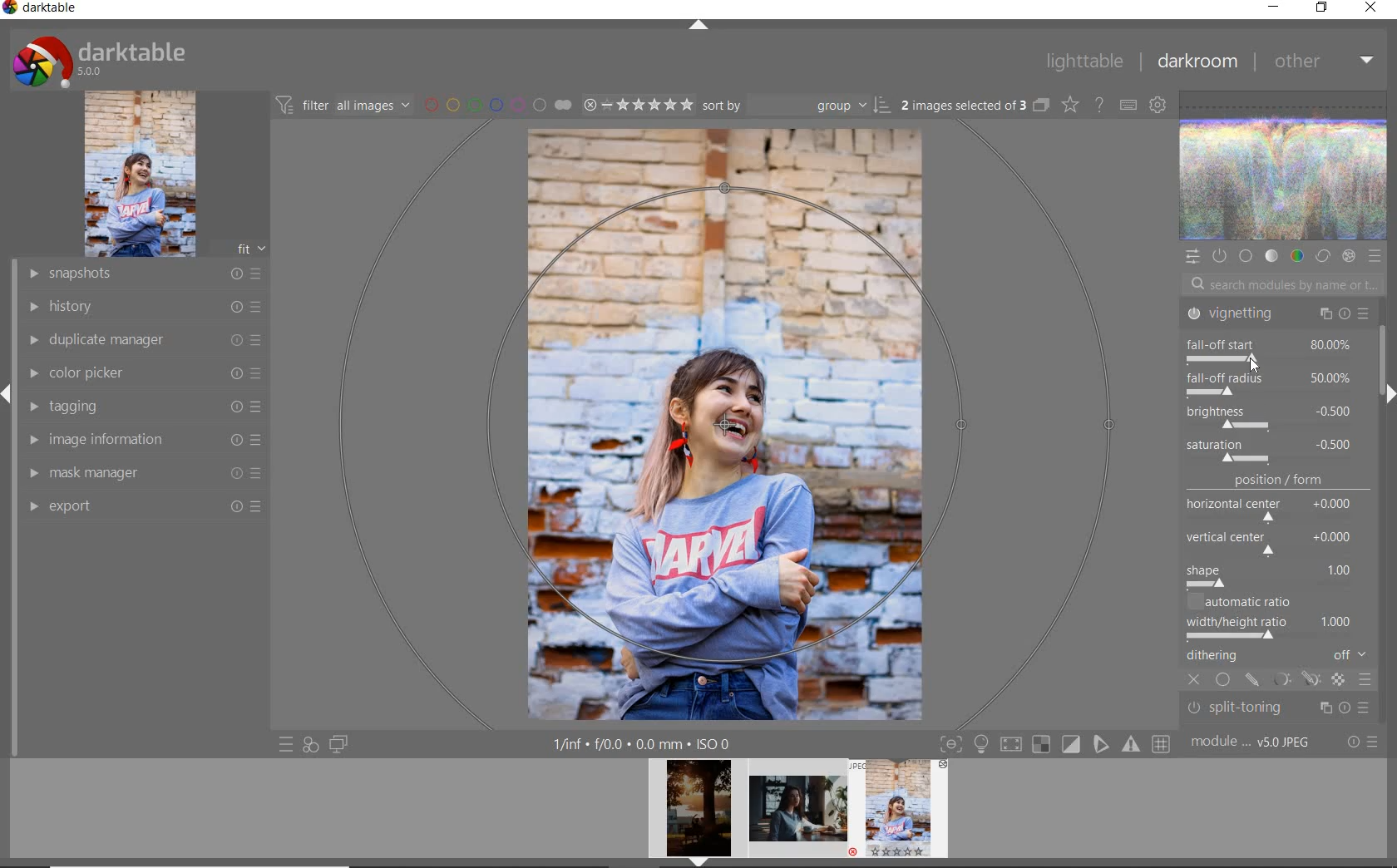 Image resolution: width=1397 pixels, height=868 pixels. Describe the element at coordinates (146, 340) in the screenshot. I see `duplicate manager` at that location.